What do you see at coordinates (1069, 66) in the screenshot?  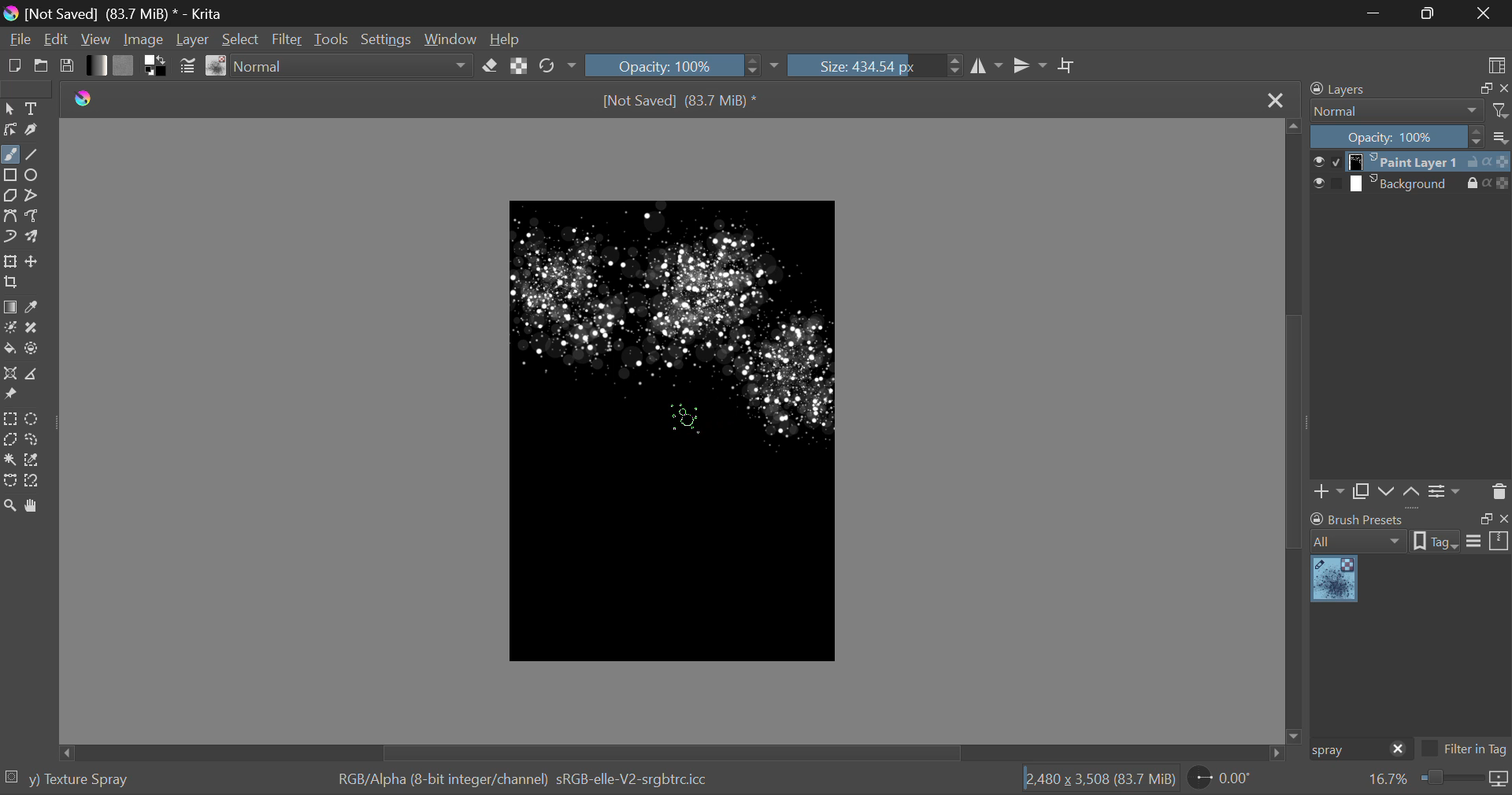 I see `Crop` at bounding box center [1069, 66].